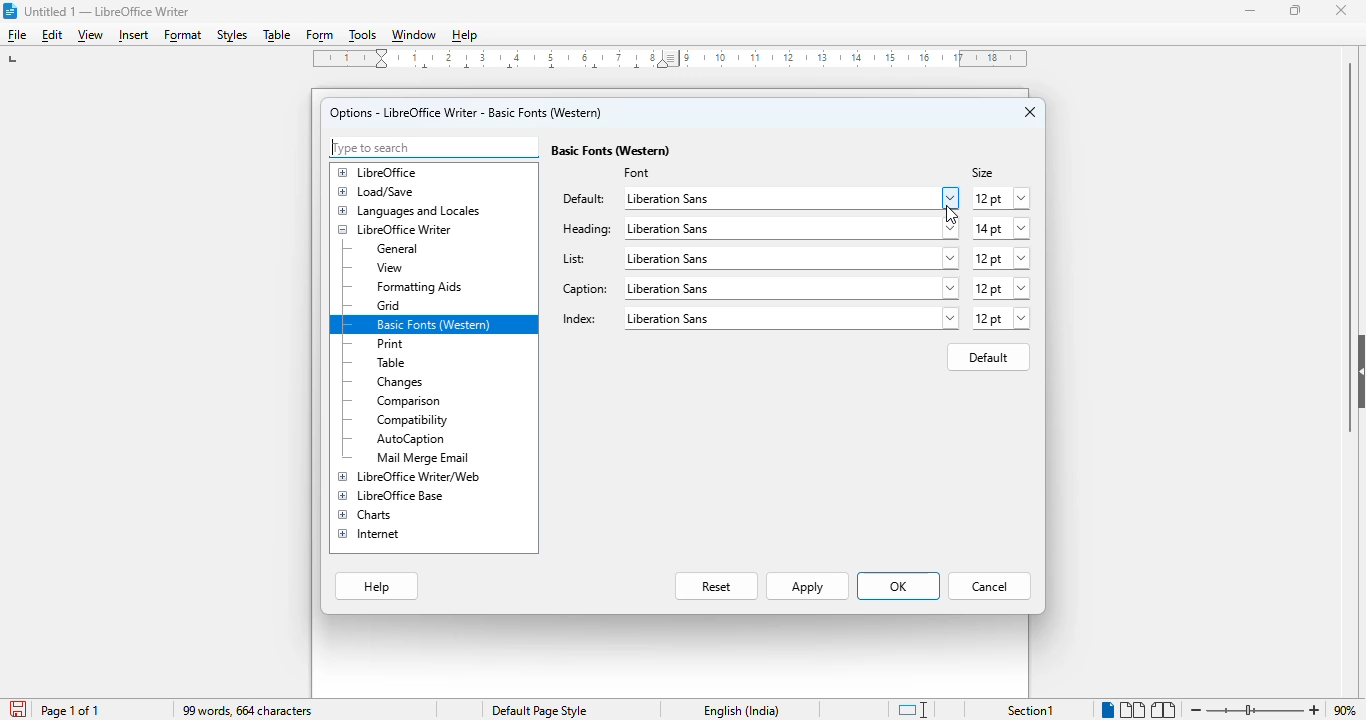 This screenshot has width=1366, height=720. What do you see at coordinates (989, 586) in the screenshot?
I see `cancel` at bounding box center [989, 586].